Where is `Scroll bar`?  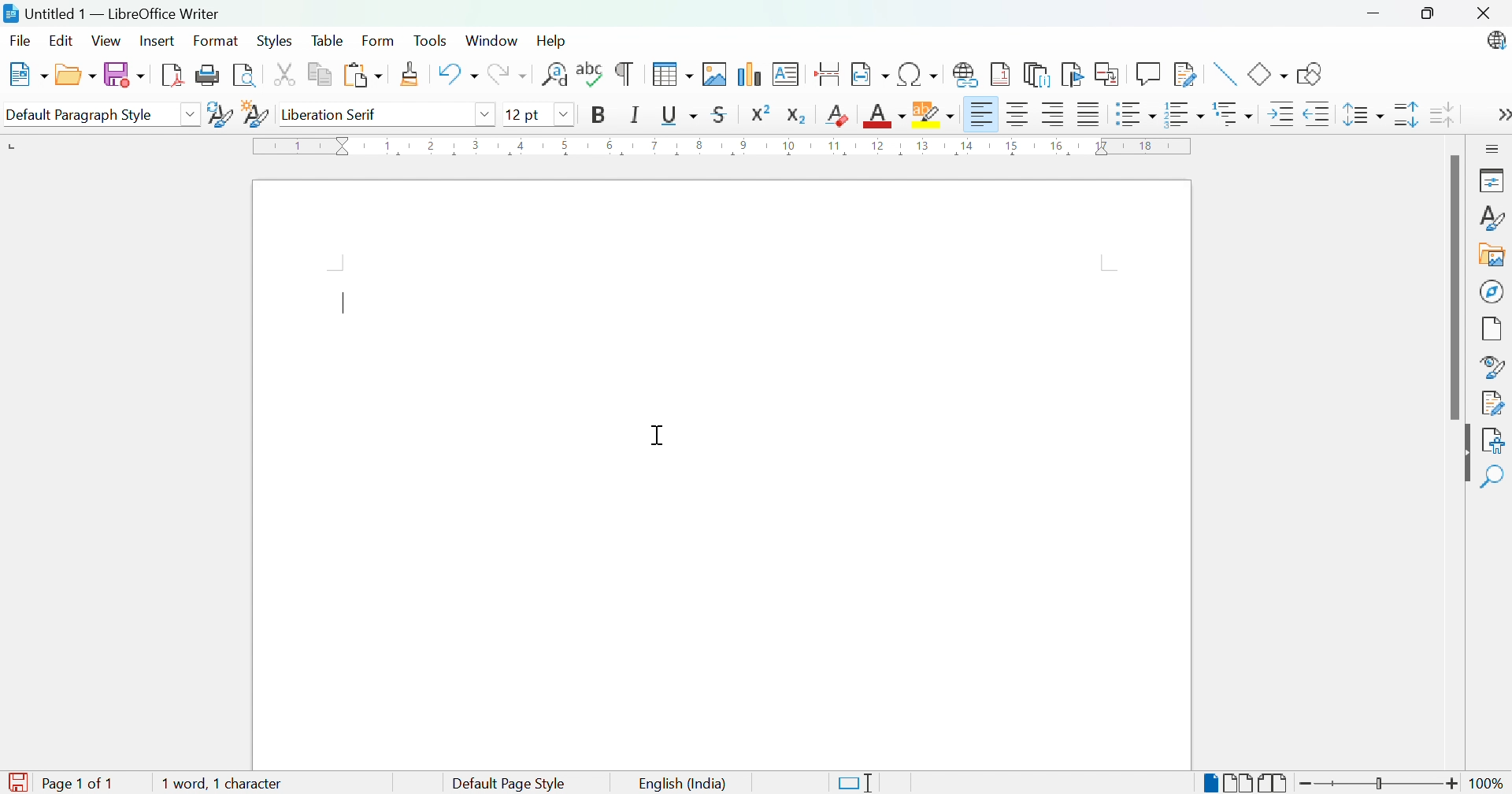 Scroll bar is located at coordinates (1449, 289).